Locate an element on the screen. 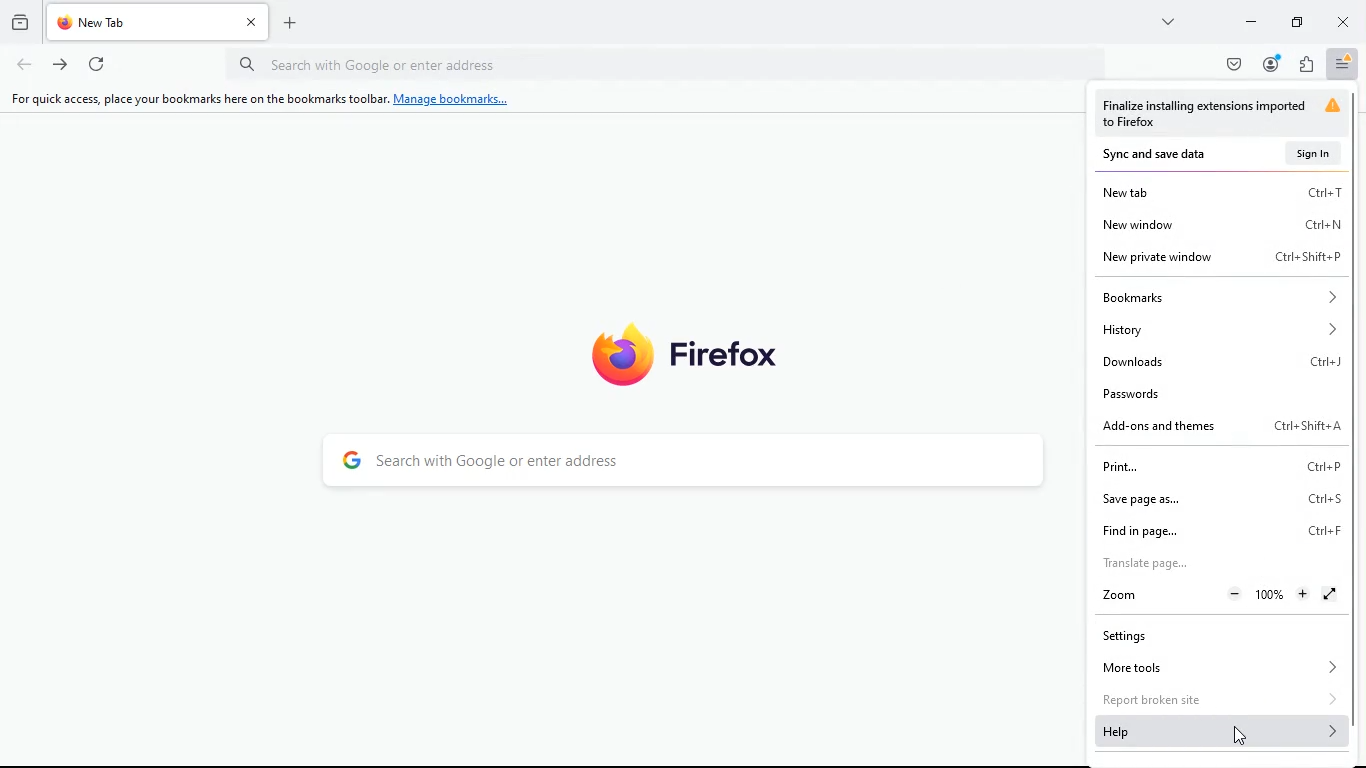 This screenshot has width=1366, height=768. Search bar is located at coordinates (670, 65).